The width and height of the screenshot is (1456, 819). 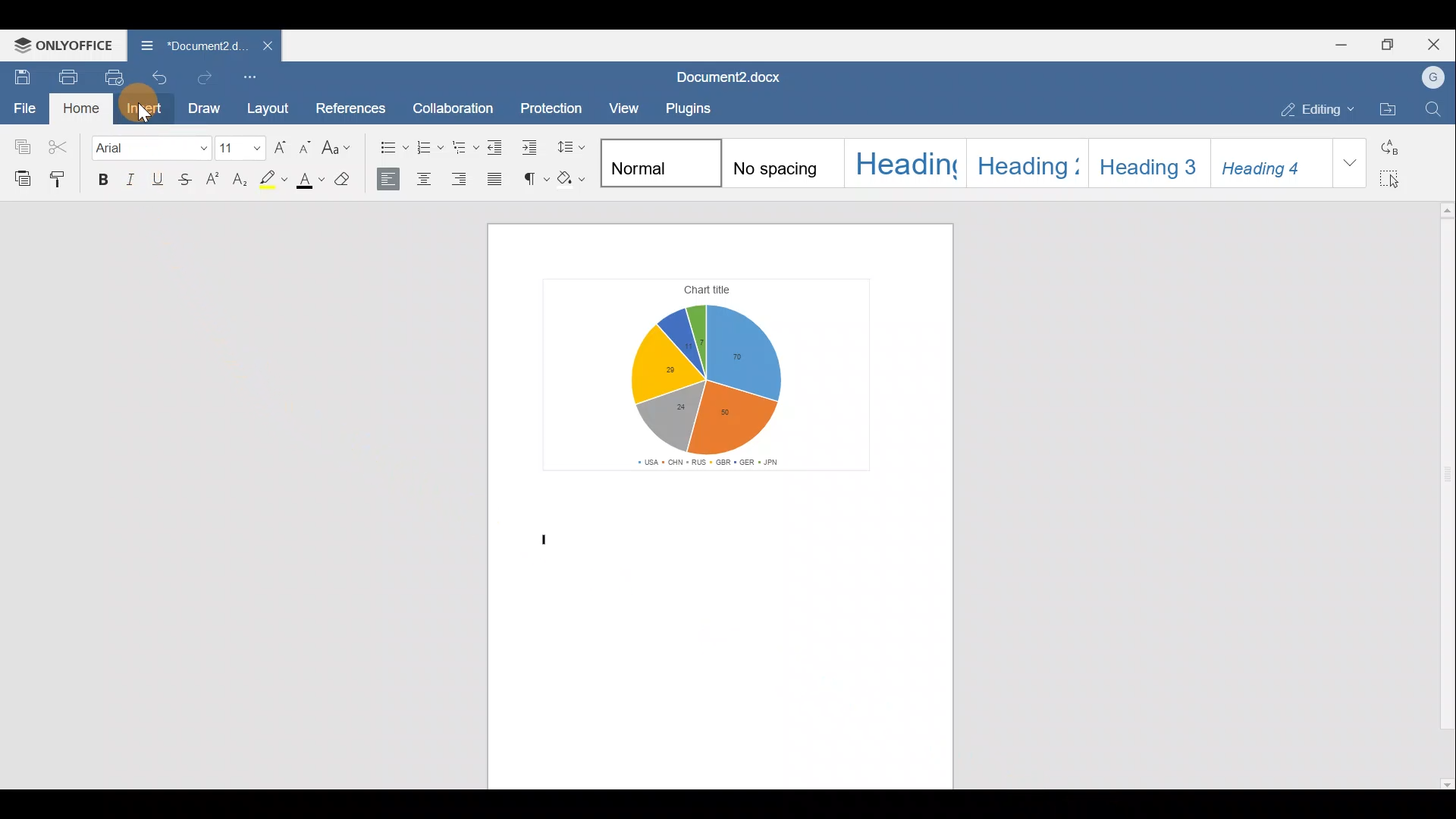 I want to click on File, so click(x=22, y=108).